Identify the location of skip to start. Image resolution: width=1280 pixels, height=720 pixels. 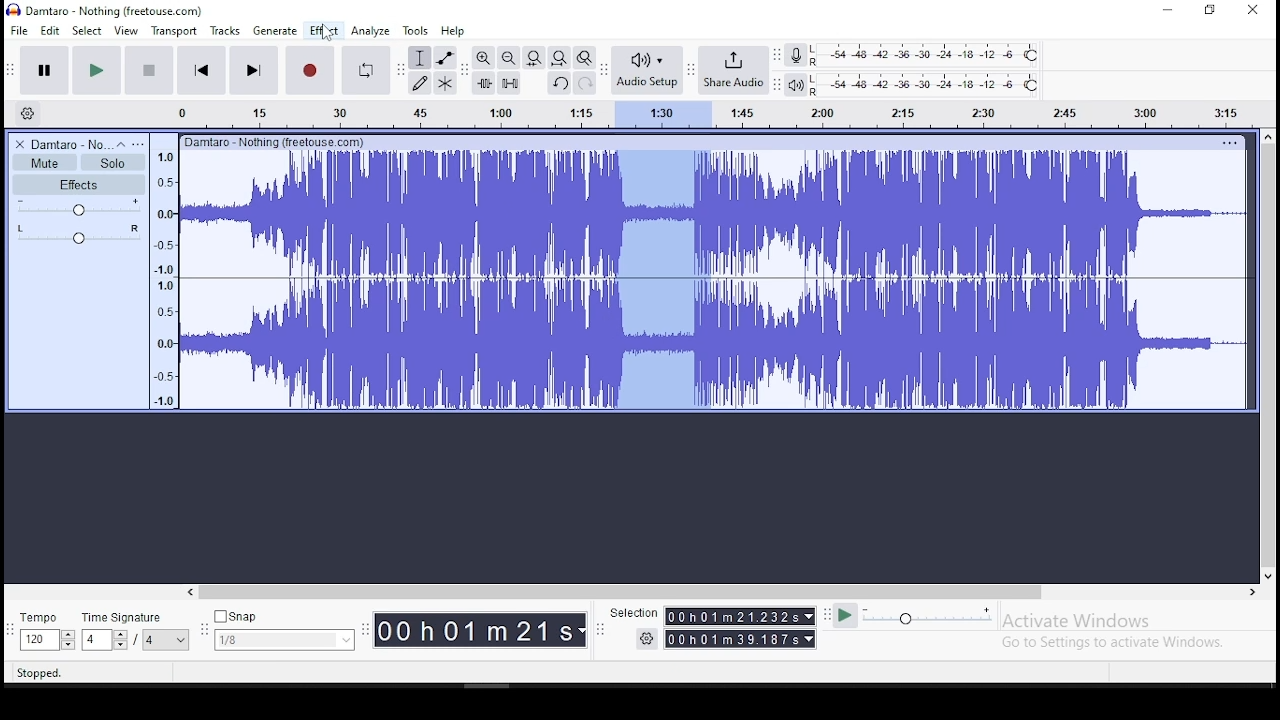
(202, 69).